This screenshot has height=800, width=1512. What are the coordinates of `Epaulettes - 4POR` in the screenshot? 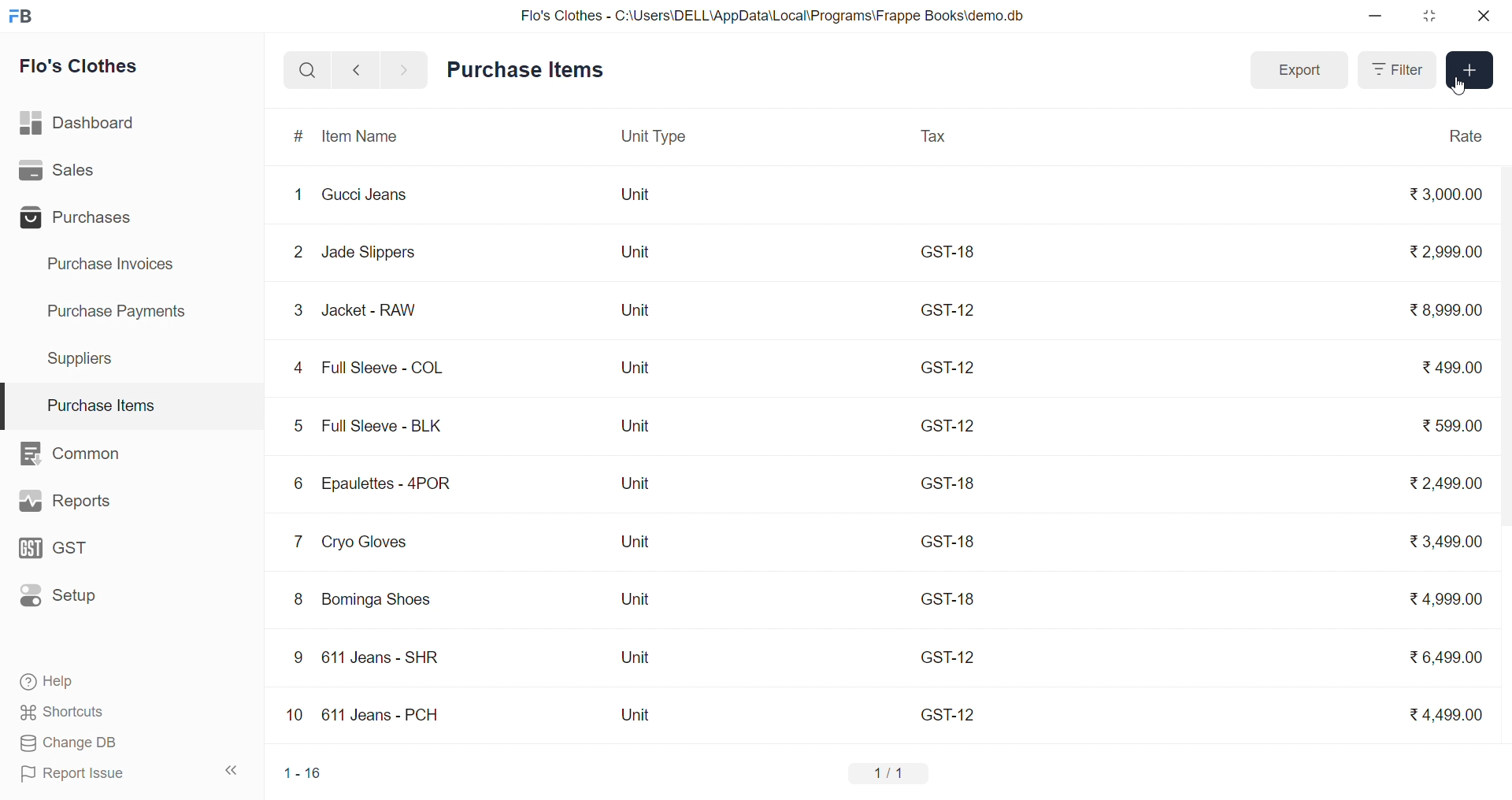 It's located at (392, 485).